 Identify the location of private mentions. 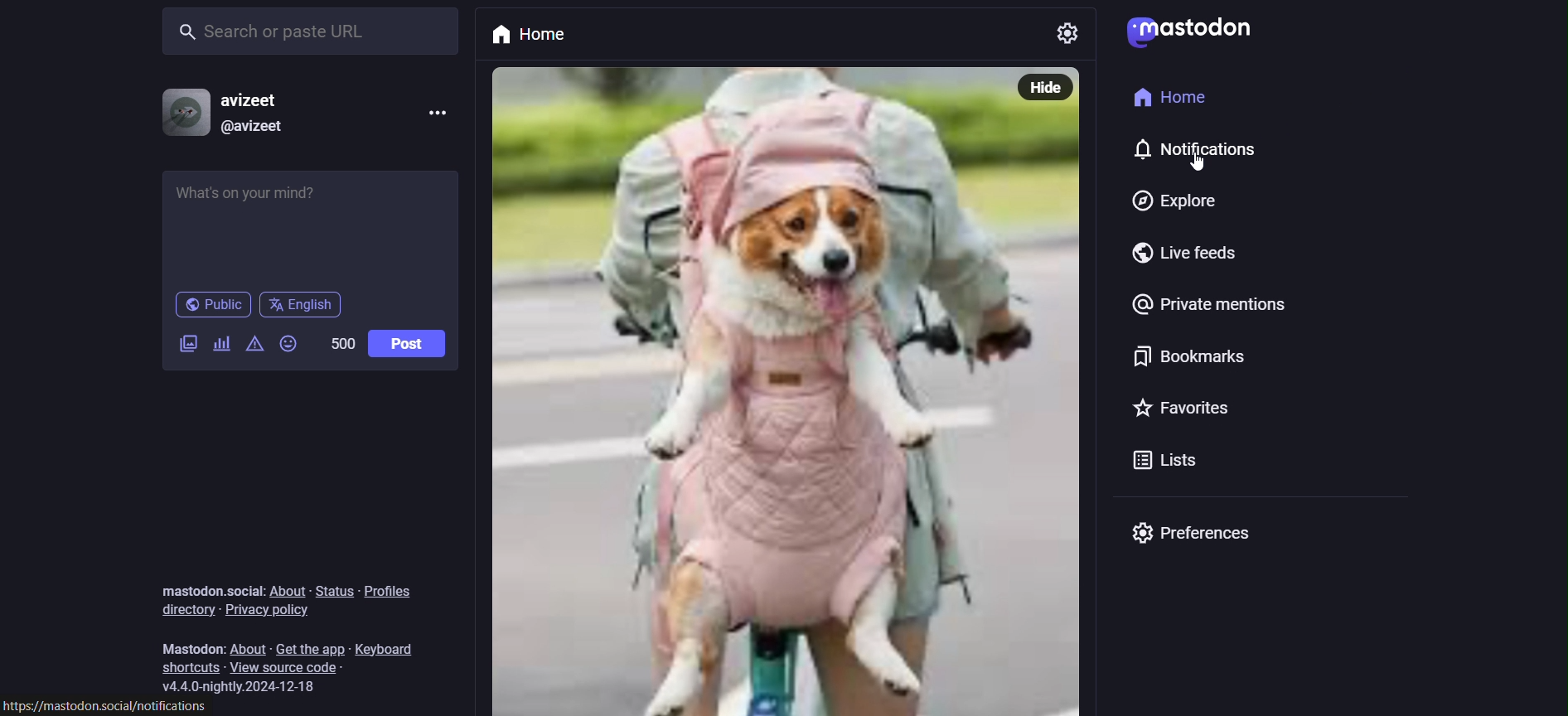
(1213, 308).